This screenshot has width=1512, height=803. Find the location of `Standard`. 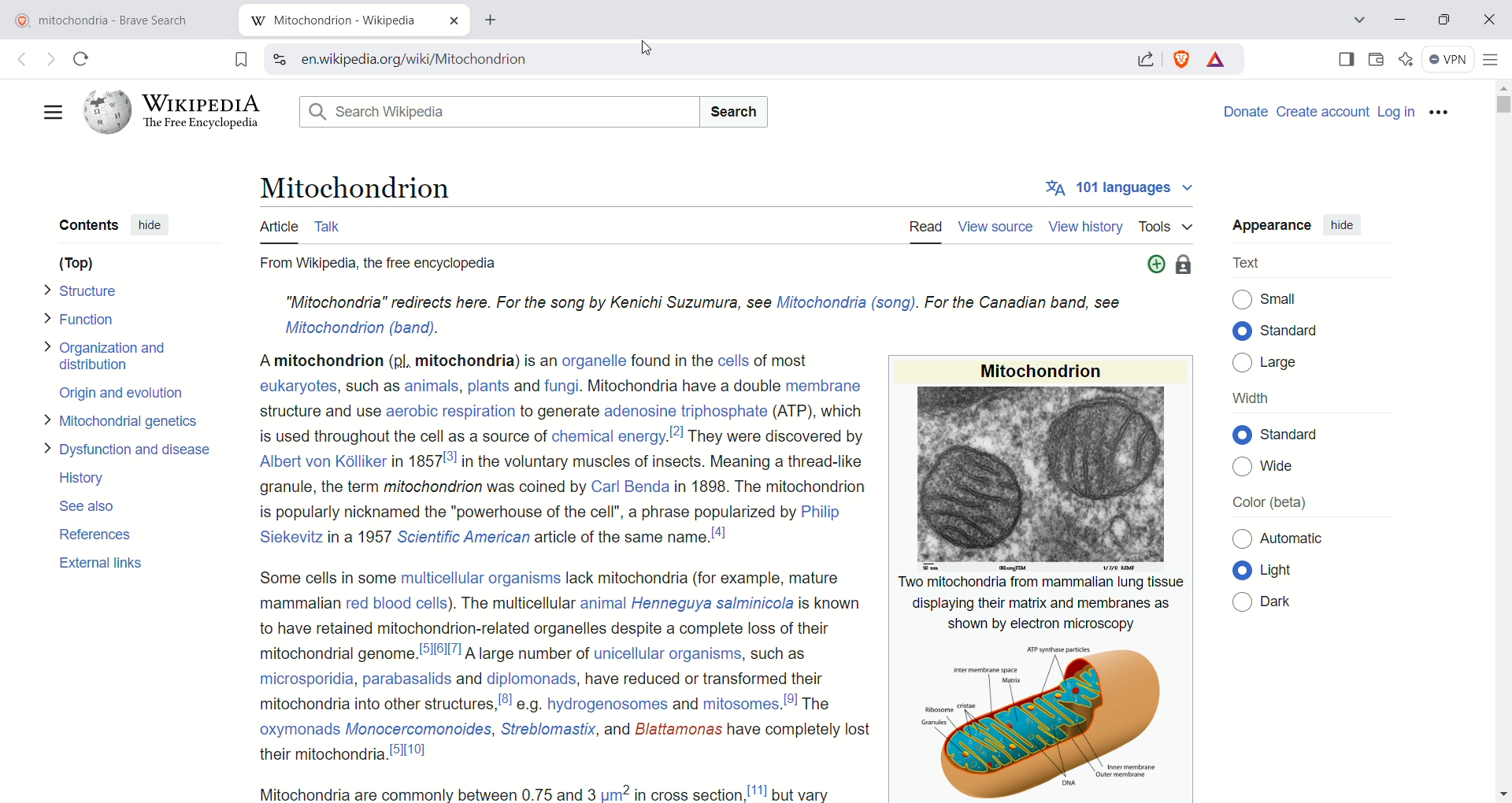

Standard is located at coordinates (1297, 330).